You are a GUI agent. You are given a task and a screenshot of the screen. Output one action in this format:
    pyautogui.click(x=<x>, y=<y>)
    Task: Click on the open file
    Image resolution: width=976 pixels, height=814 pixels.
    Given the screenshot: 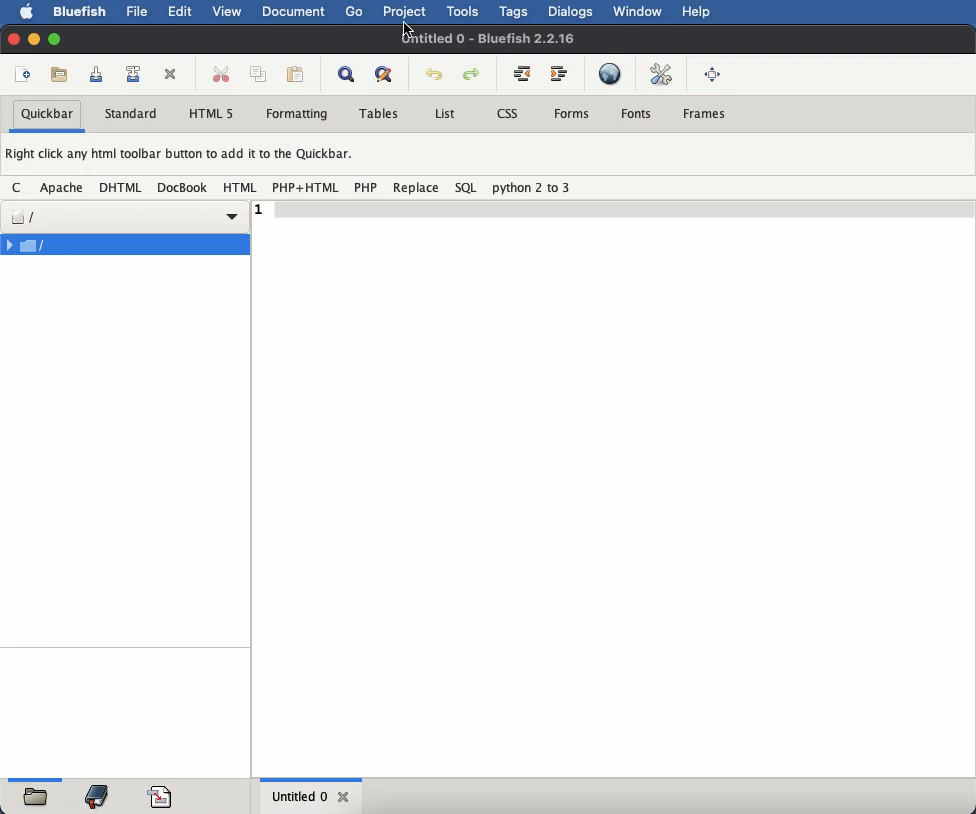 What is the action you would take?
    pyautogui.click(x=62, y=75)
    